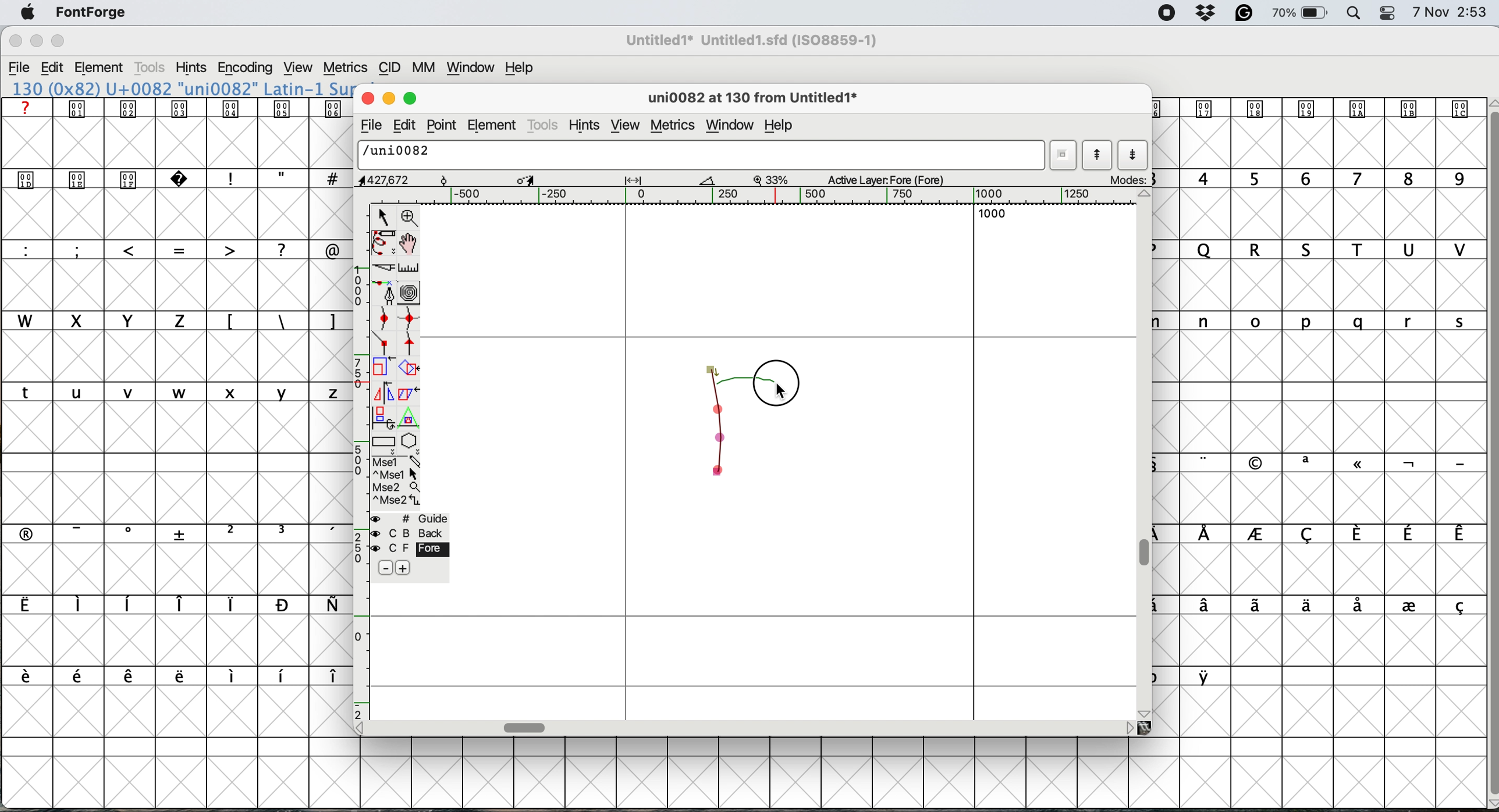  Describe the element at coordinates (58, 68) in the screenshot. I see `edit` at that location.